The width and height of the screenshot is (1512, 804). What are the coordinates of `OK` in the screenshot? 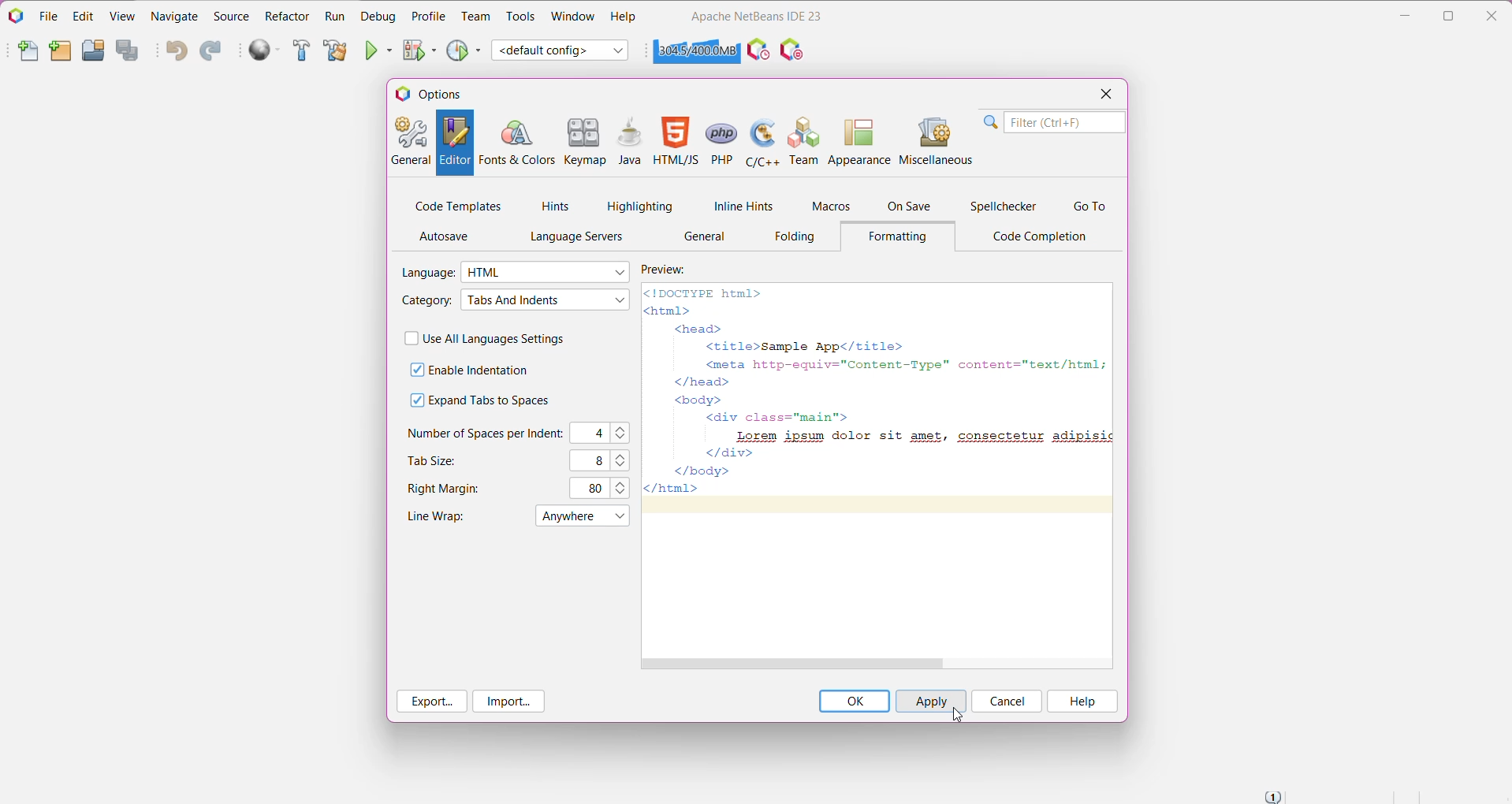 It's located at (854, 701).